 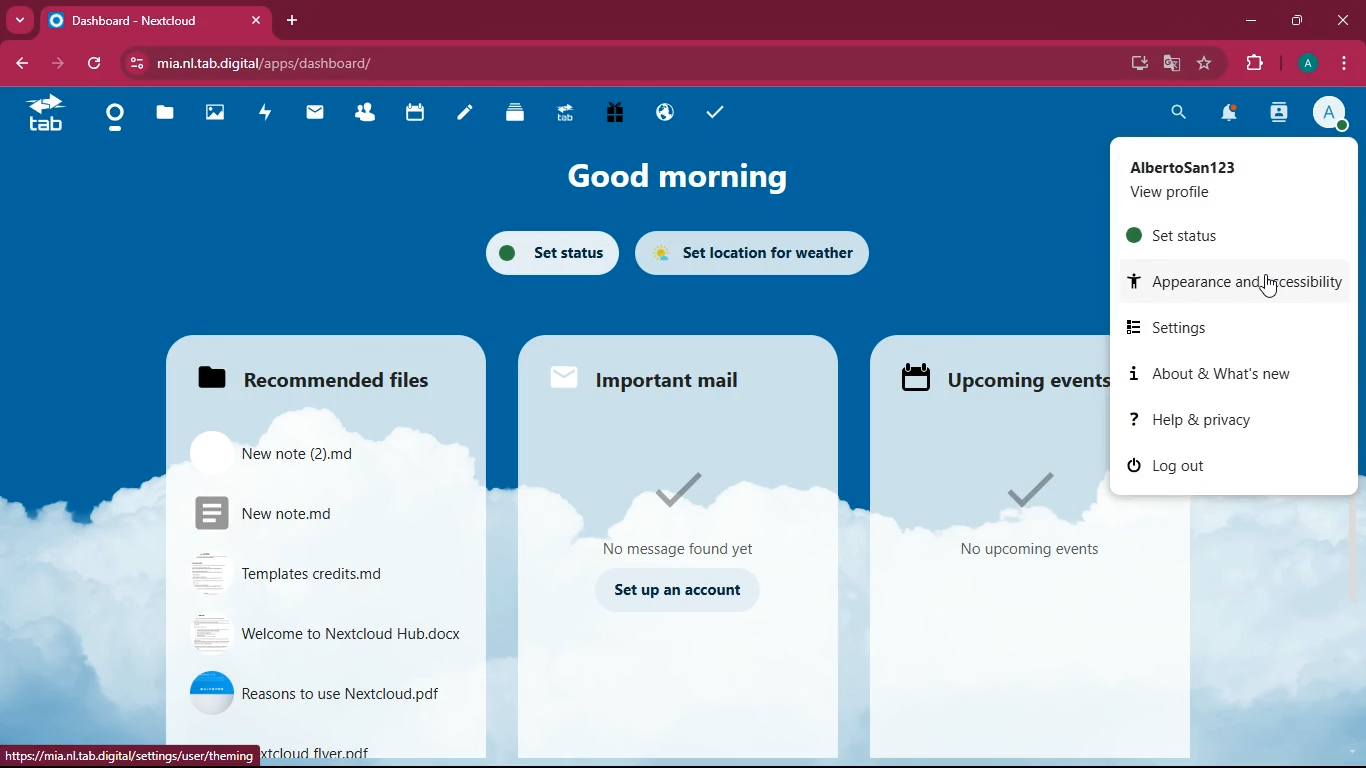 What do you see at coordinates (143, 20) in the screenshot?
I see `tab` at bounding box center [143, 20].